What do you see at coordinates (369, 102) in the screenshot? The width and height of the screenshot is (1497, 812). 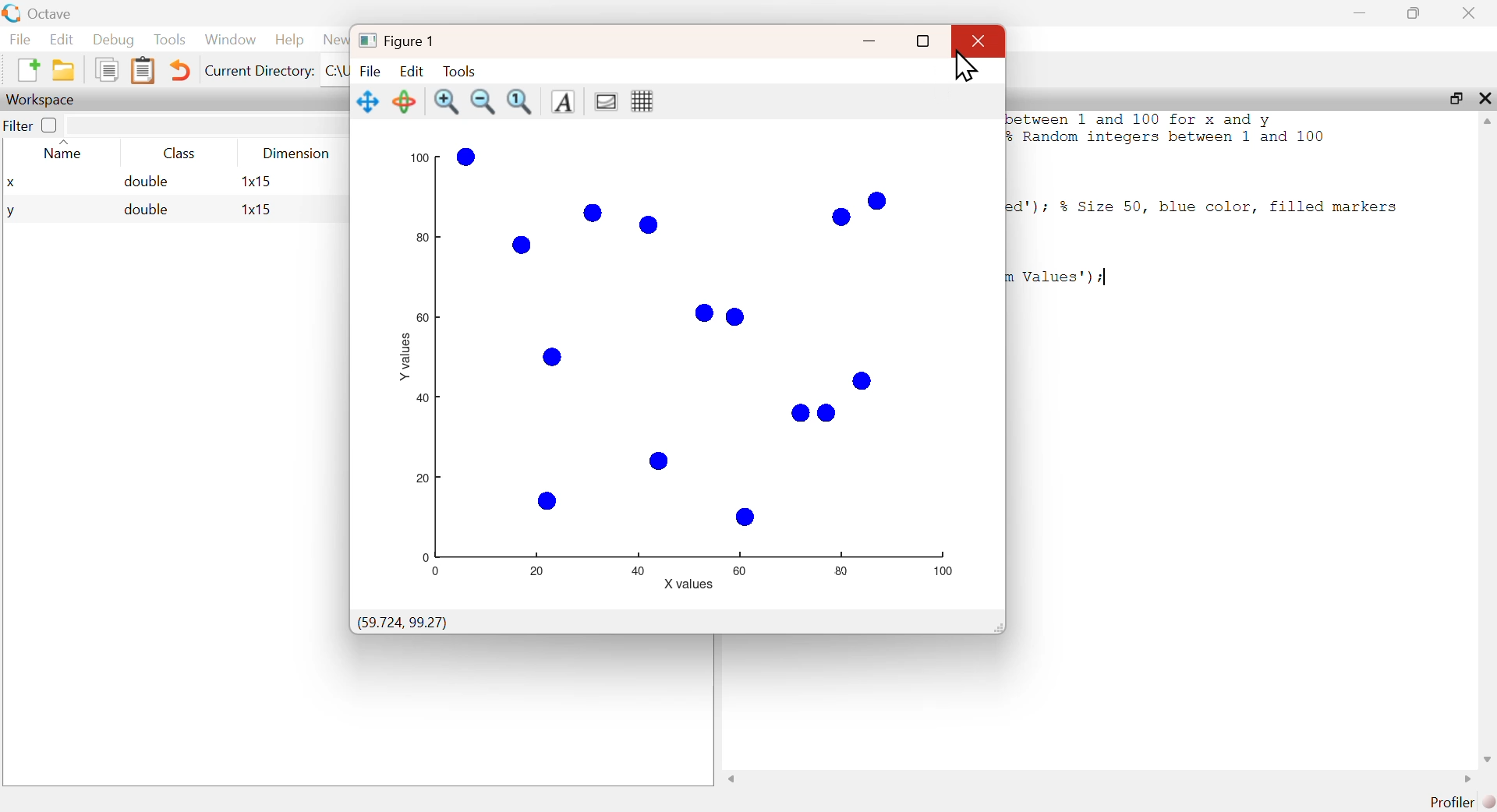 I see `Move tool` at bounding box center [369, 102].